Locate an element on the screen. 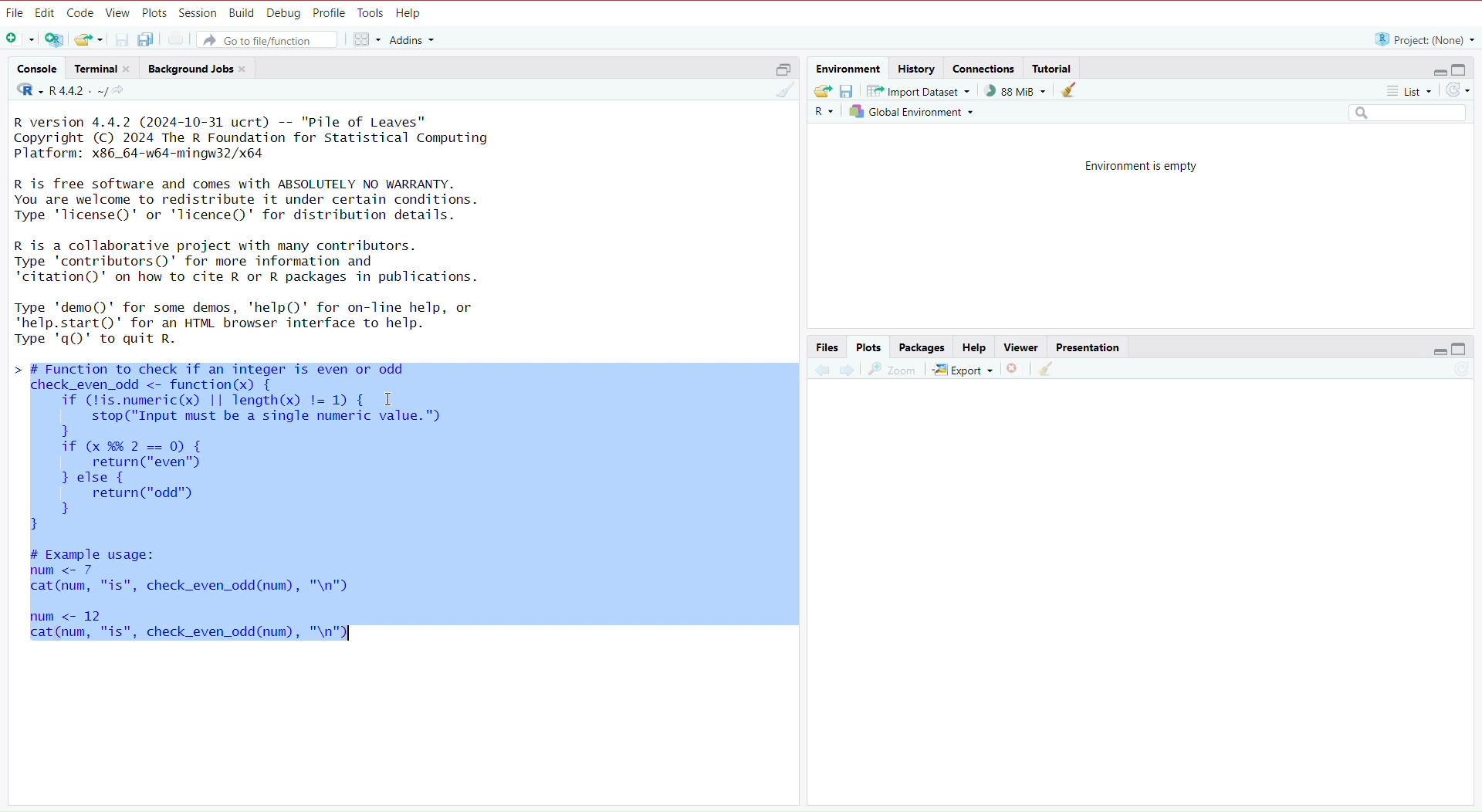  list is located at coordinates (1401, 90).